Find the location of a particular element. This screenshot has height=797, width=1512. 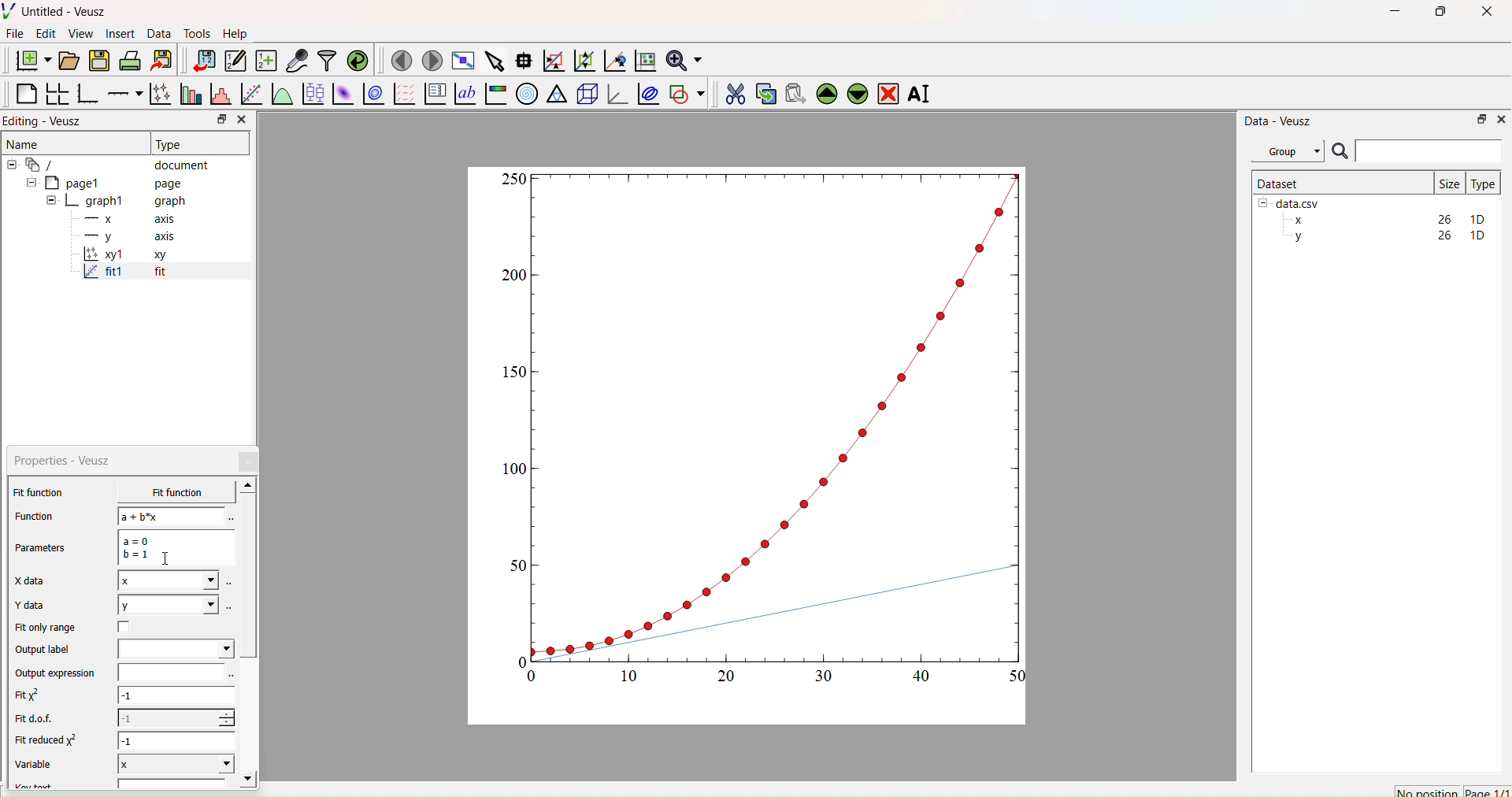

Minimize is located at coordinates (1395, 15).